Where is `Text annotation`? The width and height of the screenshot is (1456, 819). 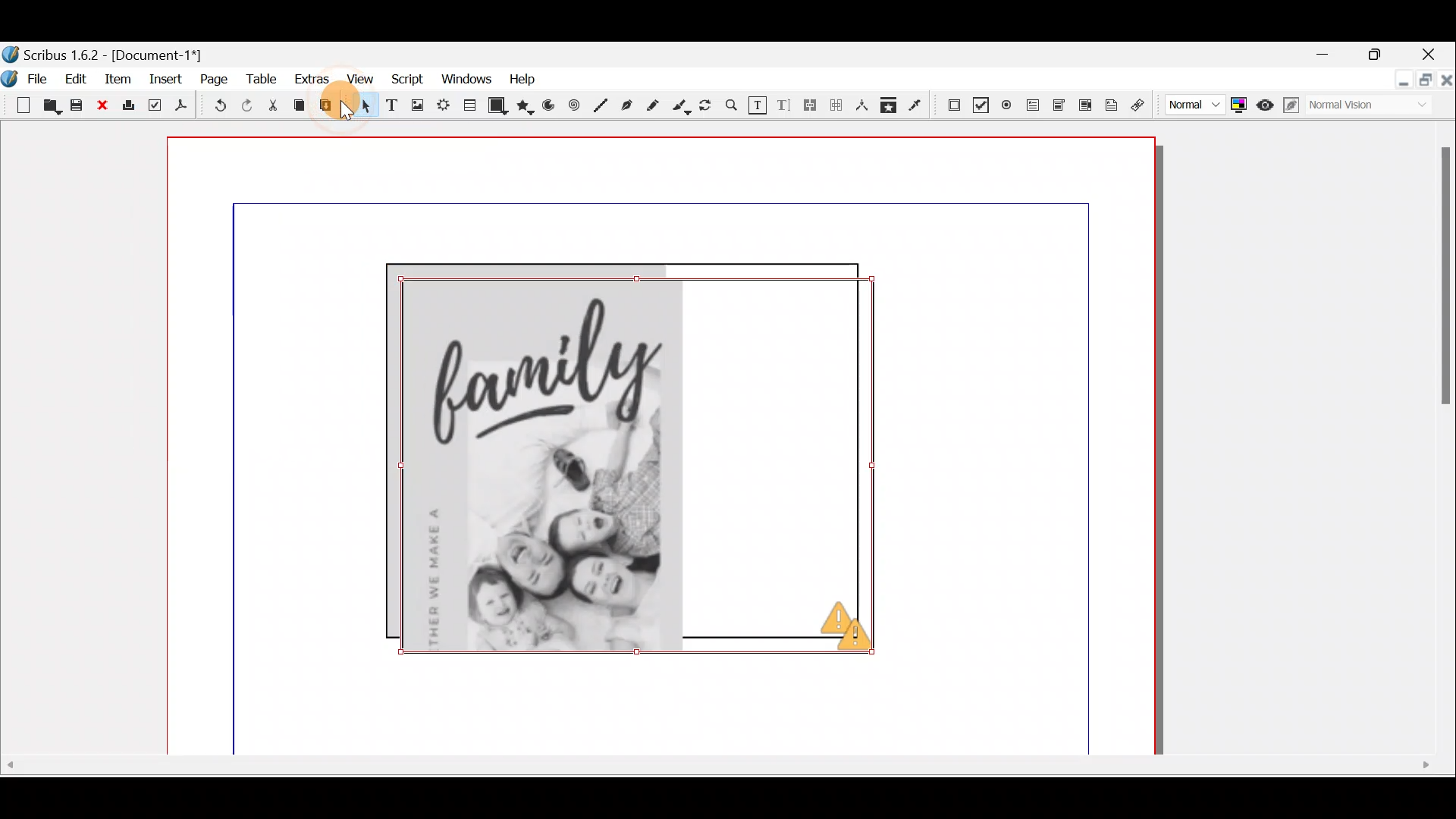
Text annotation is located at coordinates (1114, 104).